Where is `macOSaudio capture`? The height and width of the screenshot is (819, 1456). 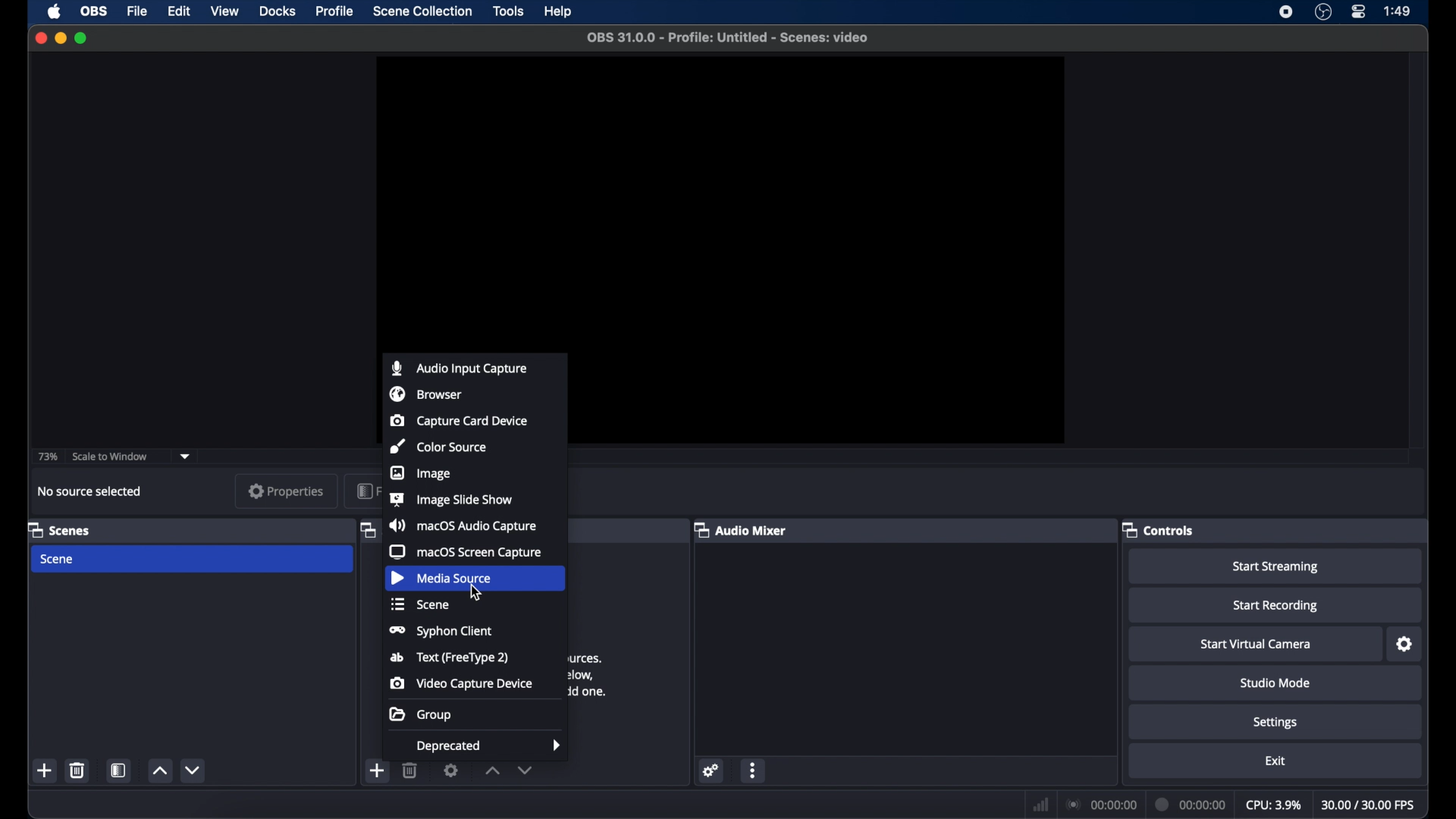 macOSaudio capture is located at coordinates (463, 525).